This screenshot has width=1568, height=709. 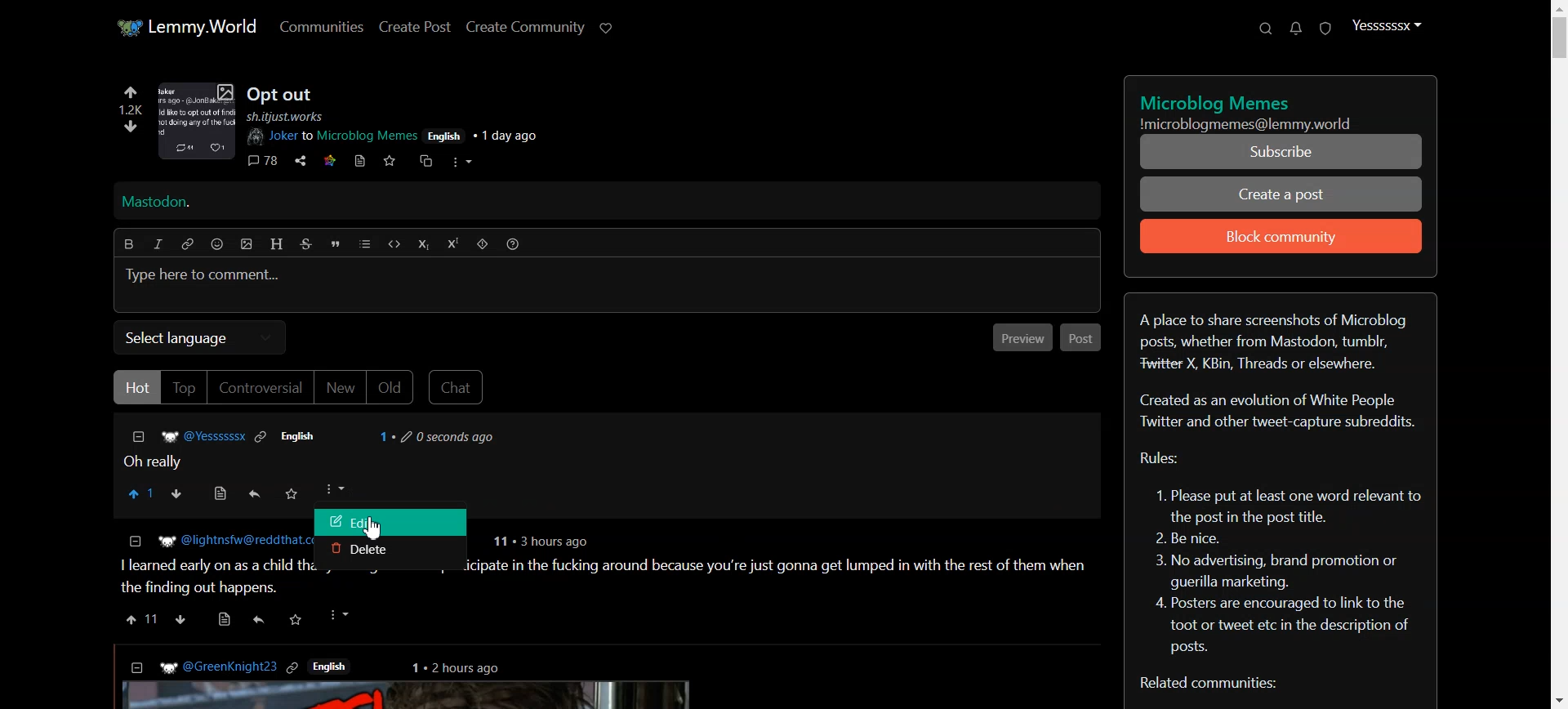 What do you see at coordinates (189, 243) in the screenshot?
I see `Hyperlink` at bounding box center [189, 243].